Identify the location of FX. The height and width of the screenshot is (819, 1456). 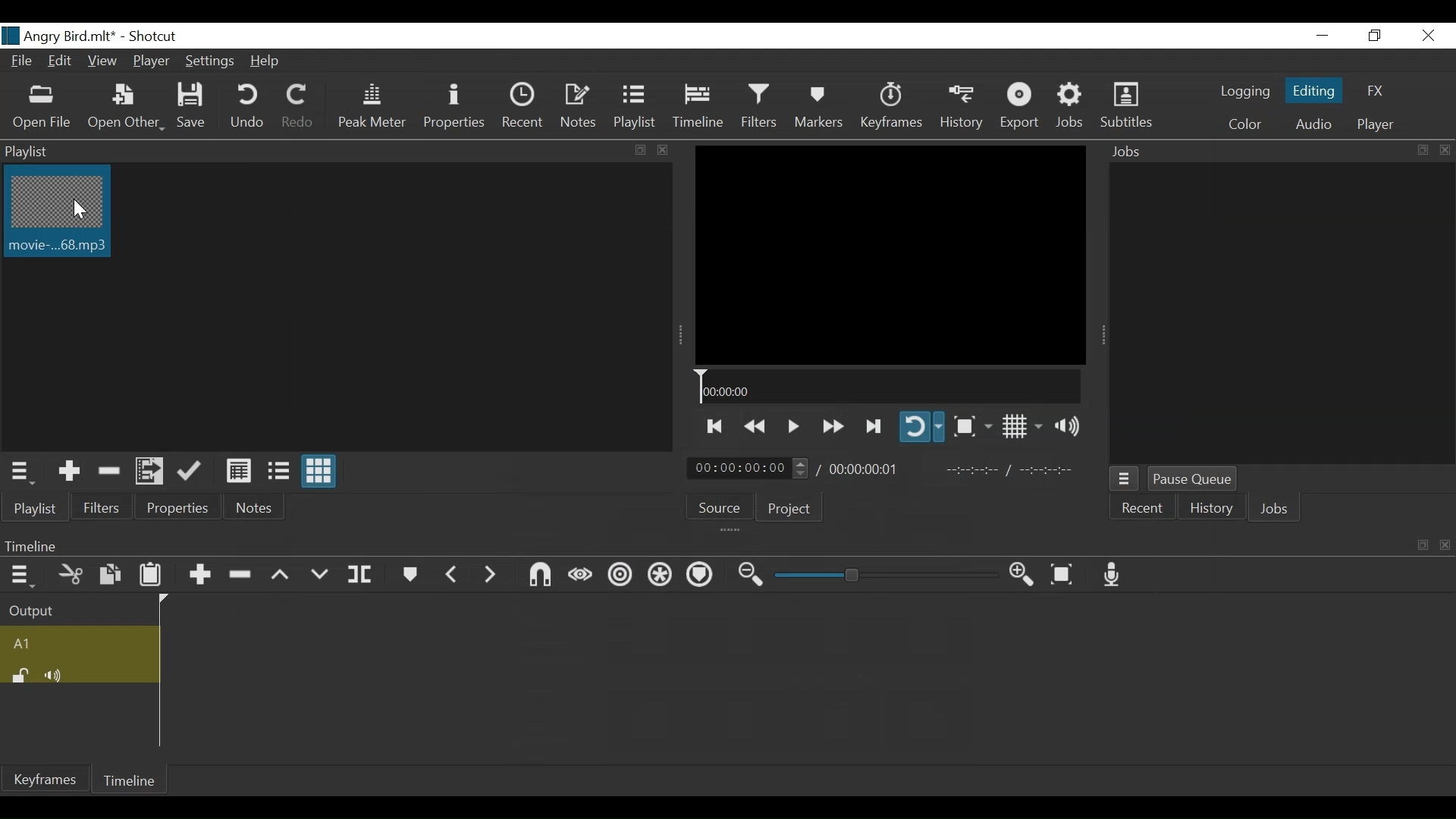
(1373, 91).